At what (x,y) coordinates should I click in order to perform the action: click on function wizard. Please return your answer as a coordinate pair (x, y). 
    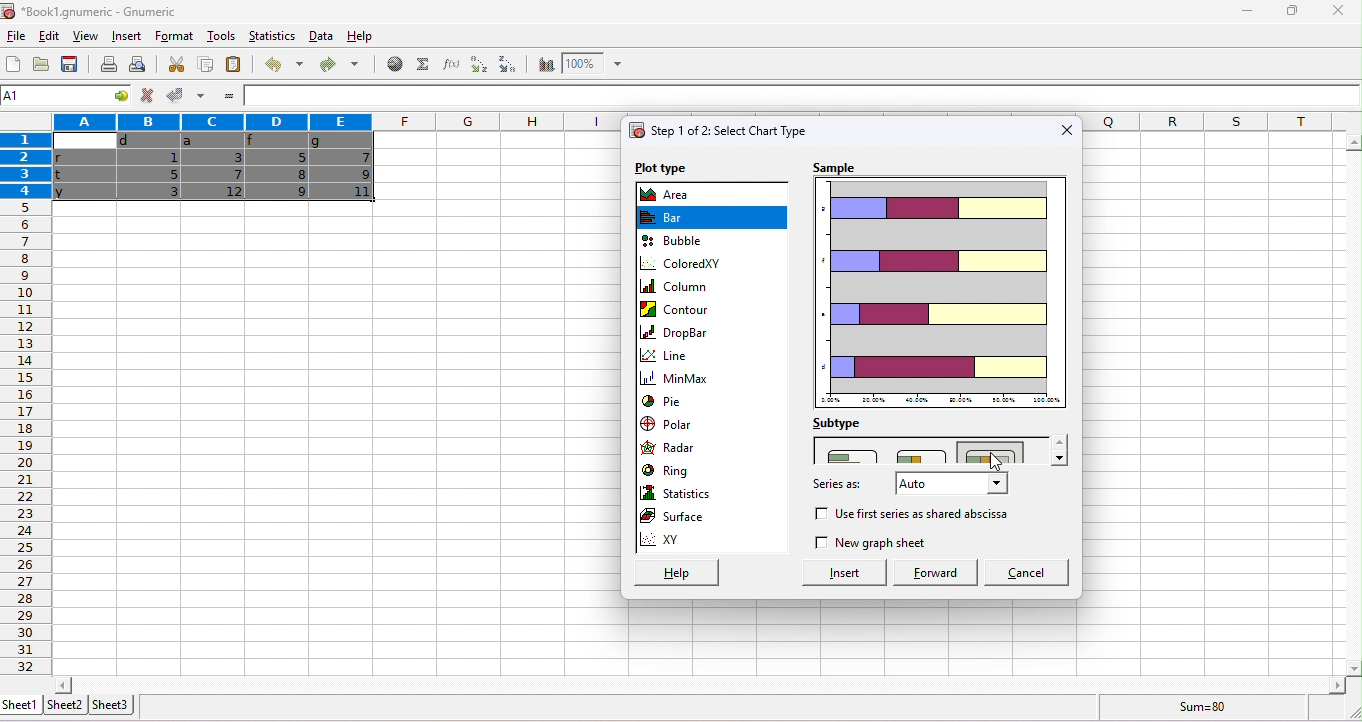
    Looking at the image, I should click on (449, 63).